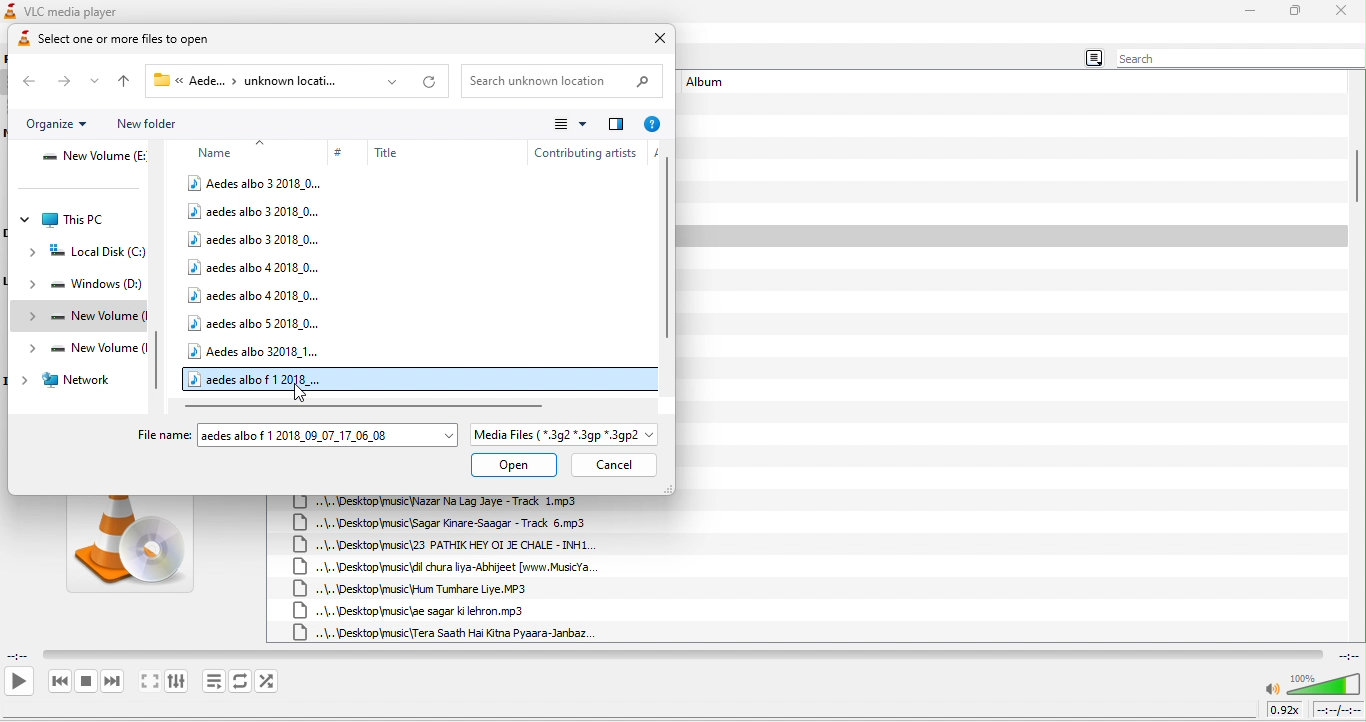  What do you see at coordinates (126, 83) in the screenshot?
I see `up to desktop` at bounding box center [126, 83].